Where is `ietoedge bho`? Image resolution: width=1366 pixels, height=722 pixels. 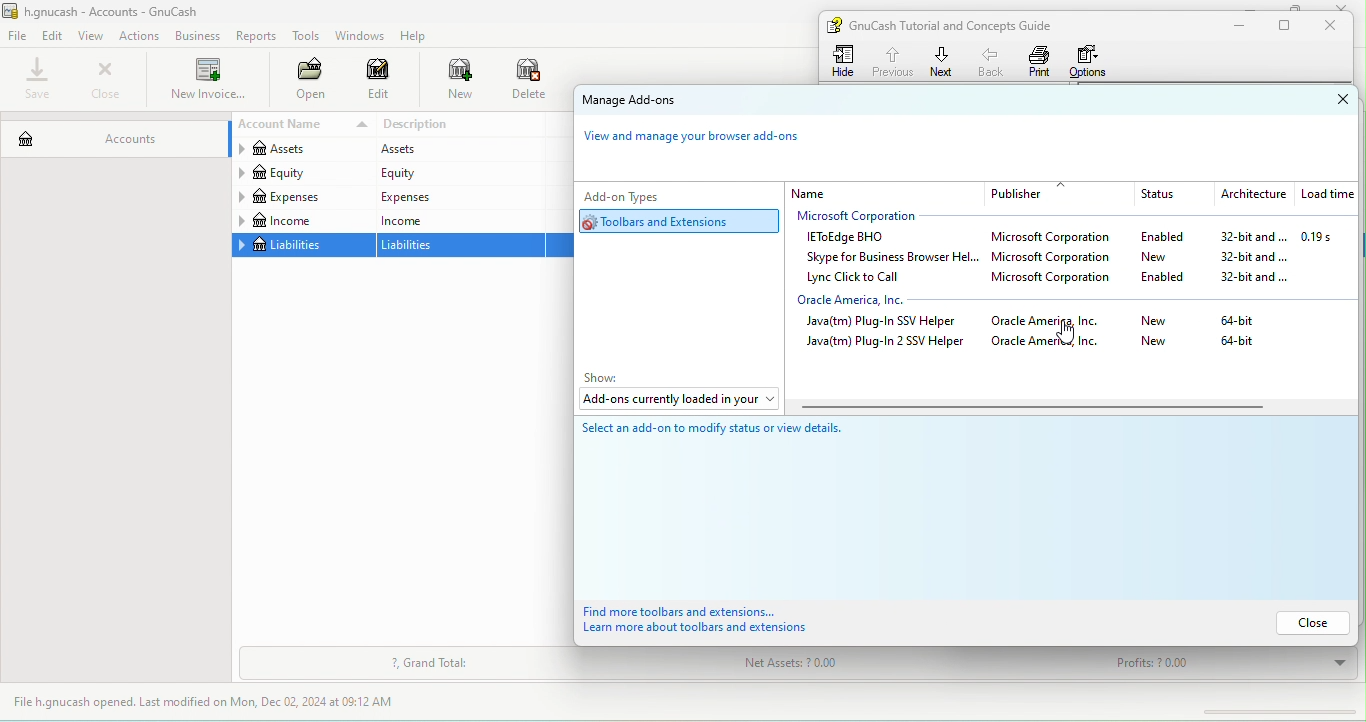
ietoedge bho is located at coordinates (850, 238).